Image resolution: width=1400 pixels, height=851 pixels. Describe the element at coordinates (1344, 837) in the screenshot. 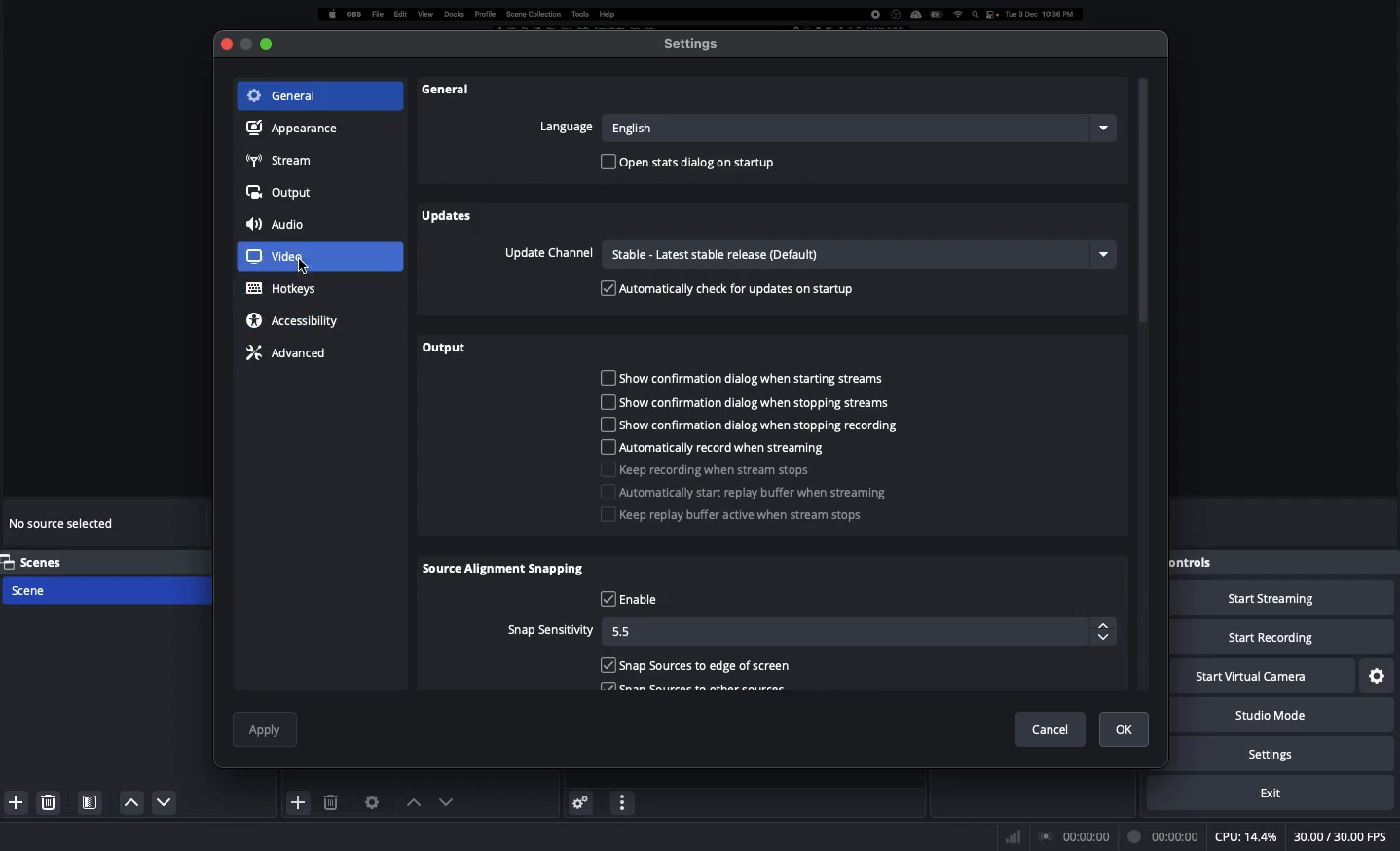

I see `FPS` at that location.